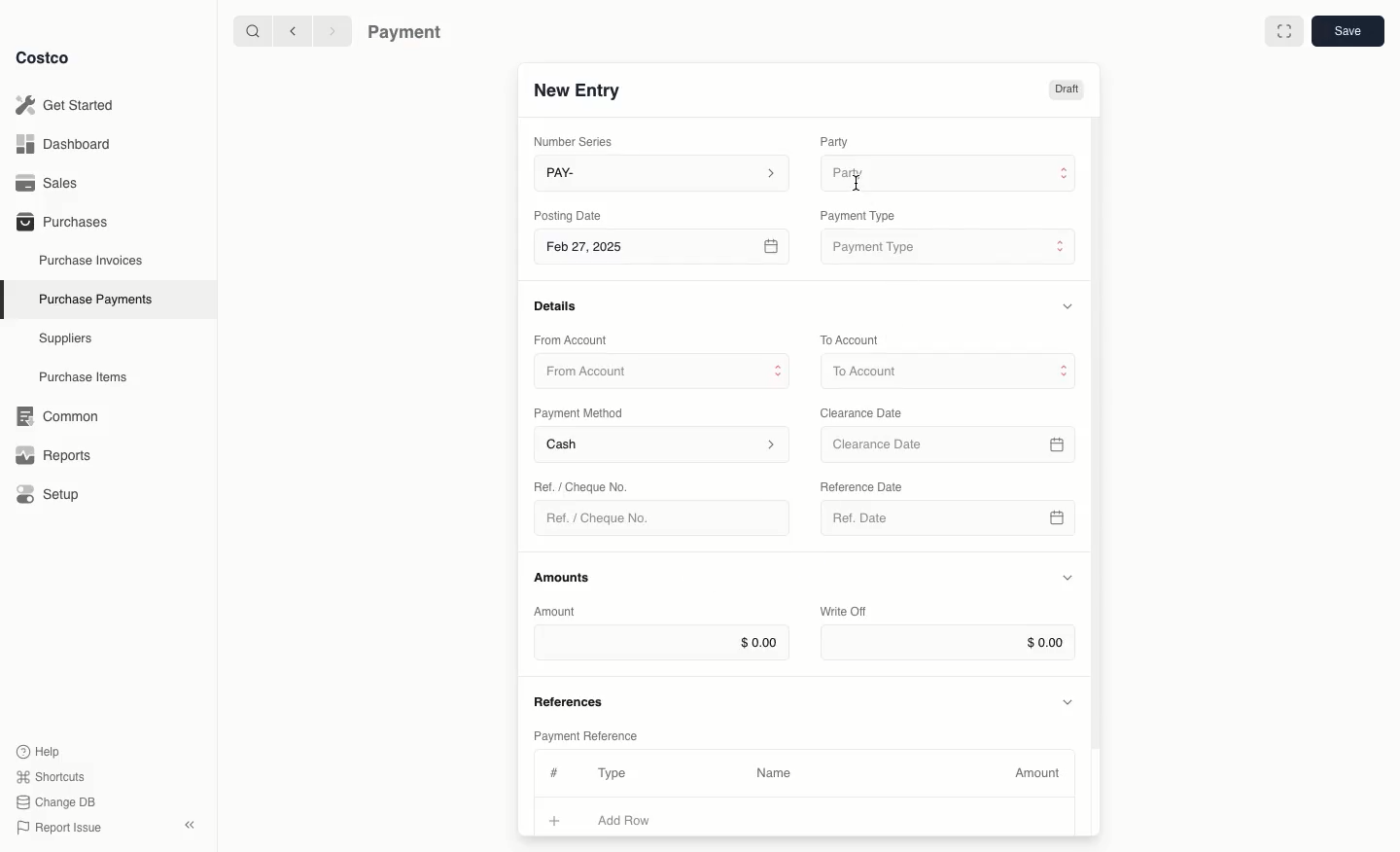  What do you see at coordinates (59, 829) in the screenshot?
I see `Report Issue` at bounding box center [59, 829].